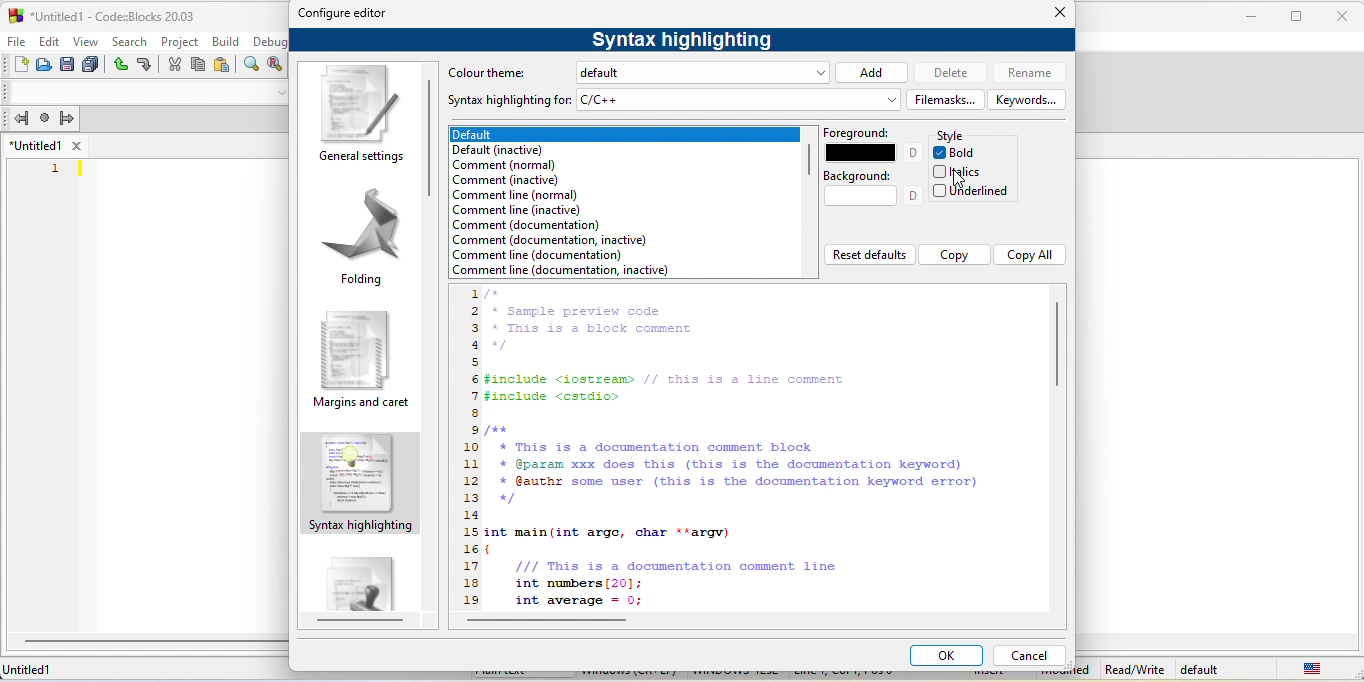 The image size is (1364, 682). What do you see at coordinates (223, 65) in the screenshot?
I see `paste` at bounding box center [223, 65].